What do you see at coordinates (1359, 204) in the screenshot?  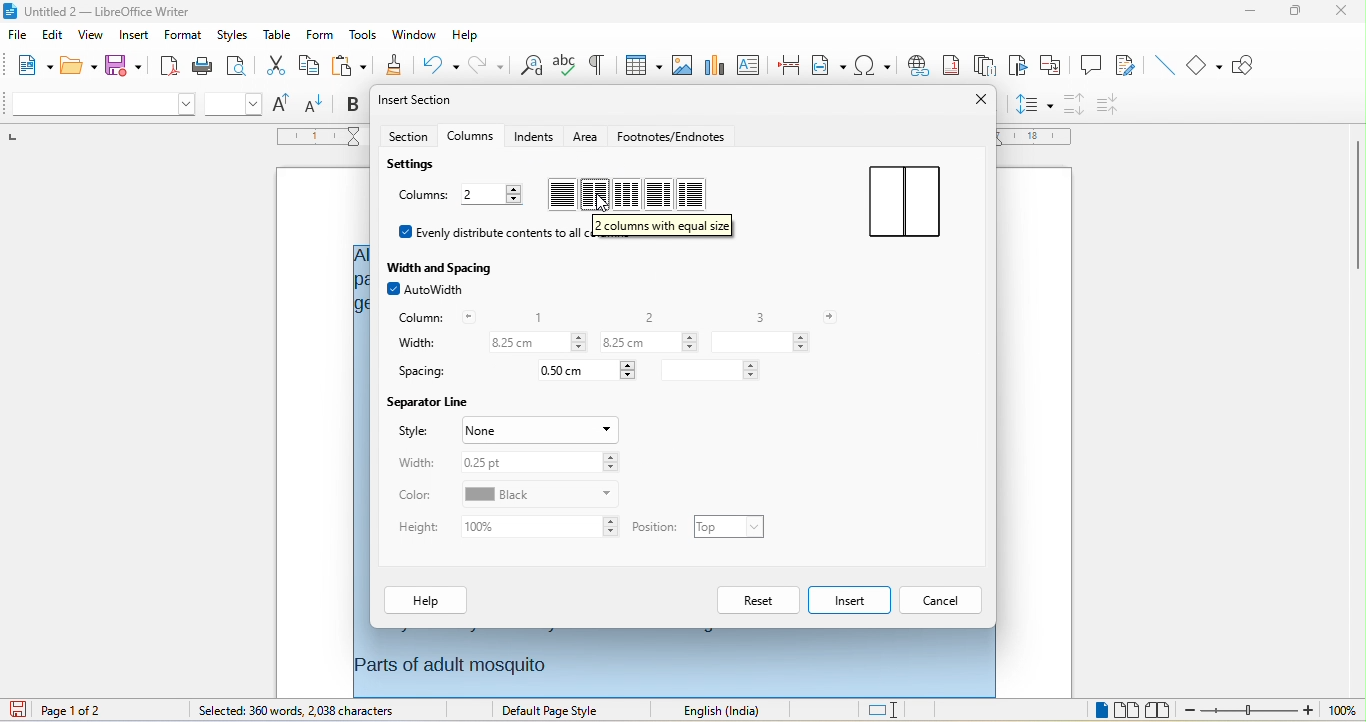 I see `vertical scrollbar` at bounding box center [1359, 204].